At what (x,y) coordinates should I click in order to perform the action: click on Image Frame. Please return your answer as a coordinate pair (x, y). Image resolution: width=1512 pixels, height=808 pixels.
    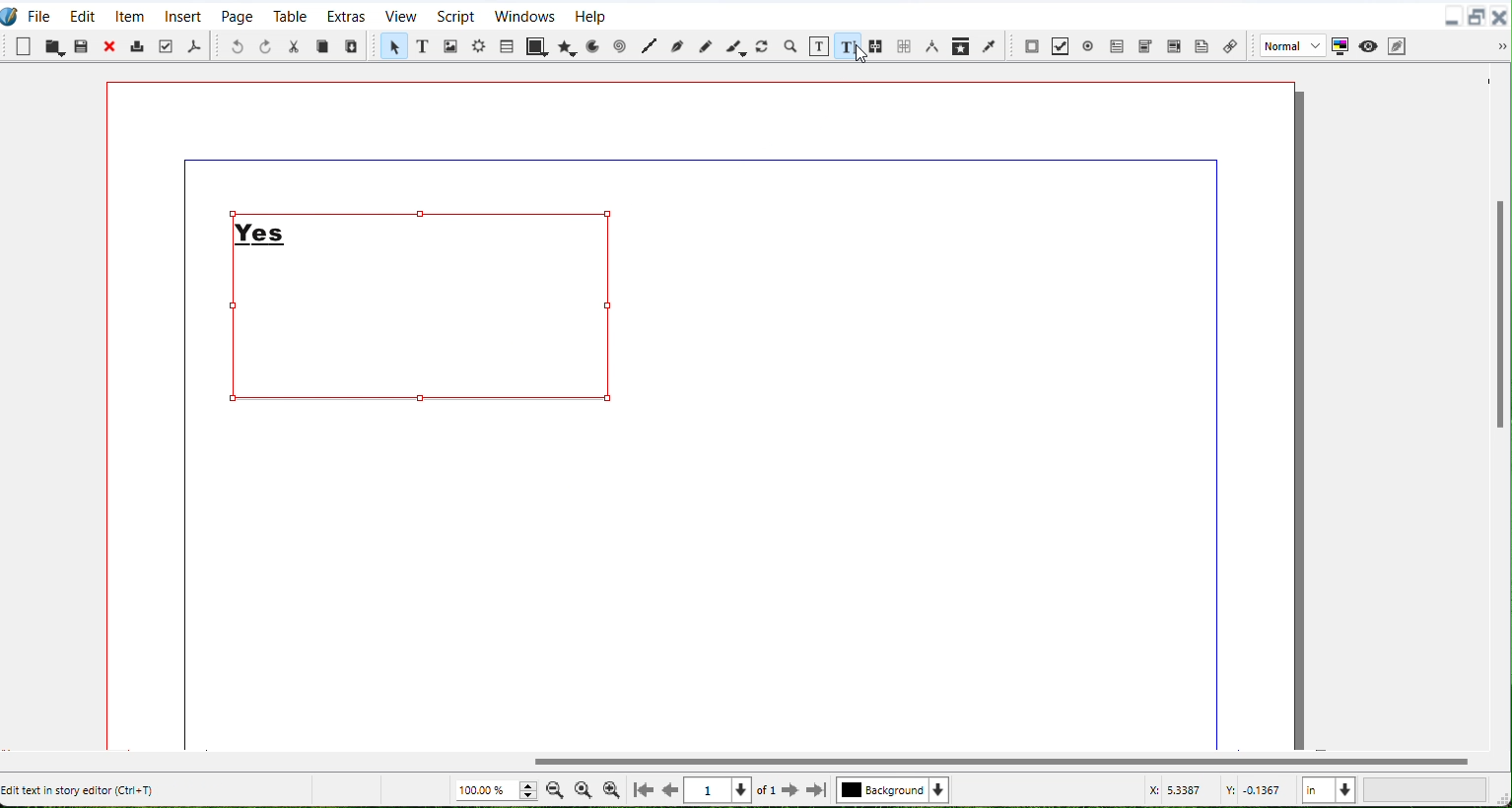
    Looking at the image, I should click on (449, 45).